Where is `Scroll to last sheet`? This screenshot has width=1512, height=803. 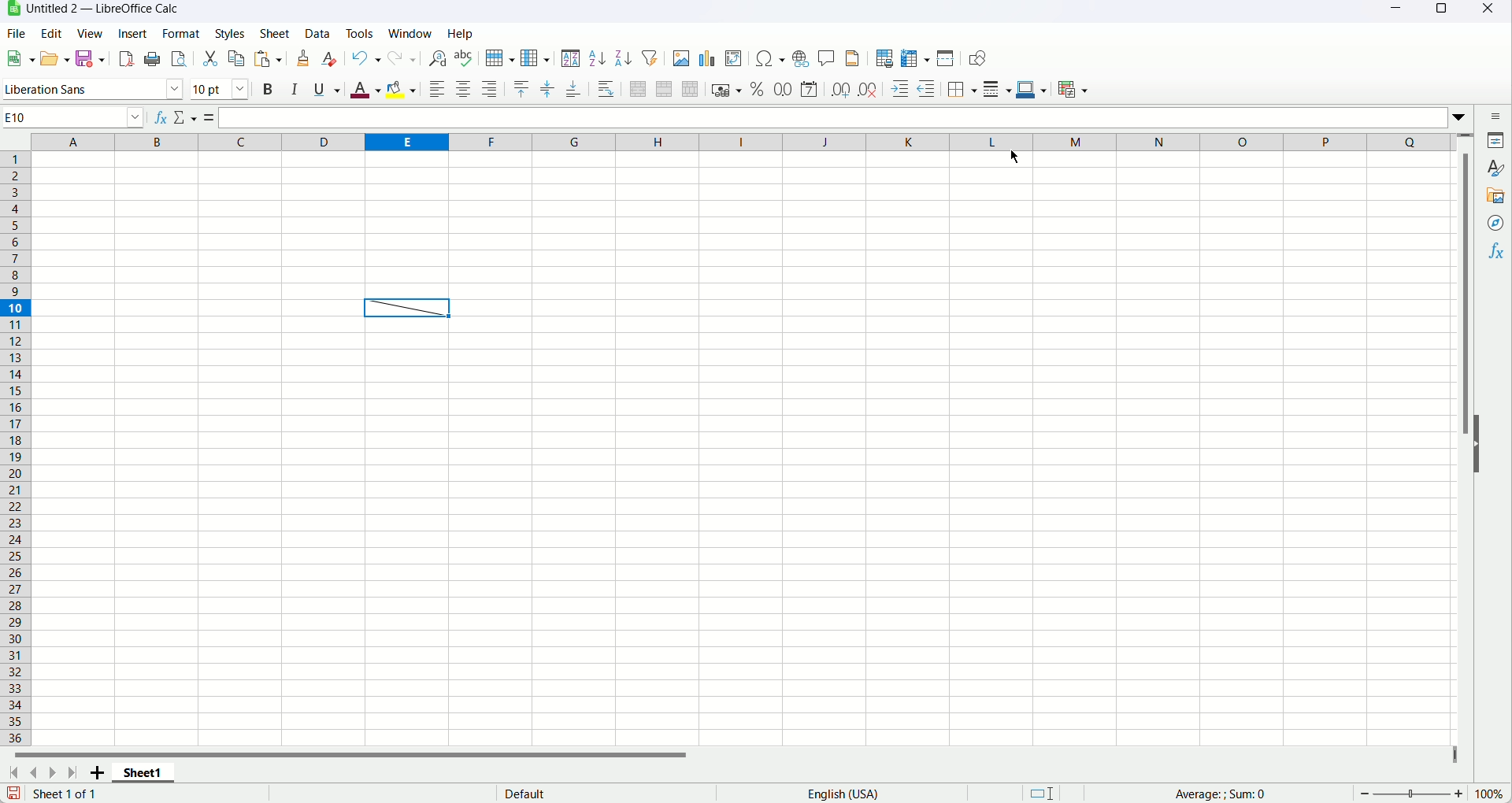
Scroll to last sheet is located at coordinates (76, 773).